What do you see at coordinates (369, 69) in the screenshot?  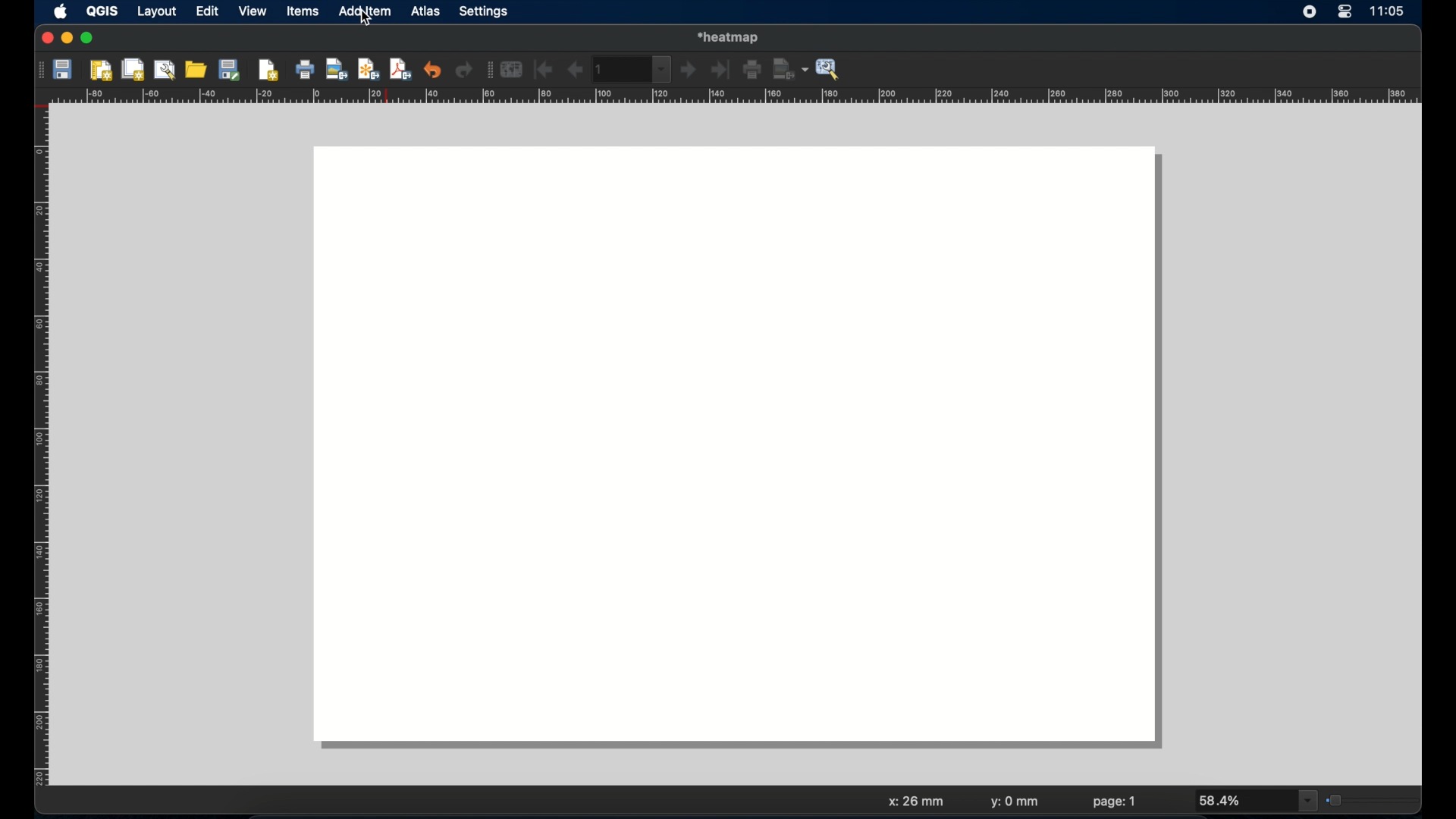 I see `export as svg` at bounding box center [369, 69].